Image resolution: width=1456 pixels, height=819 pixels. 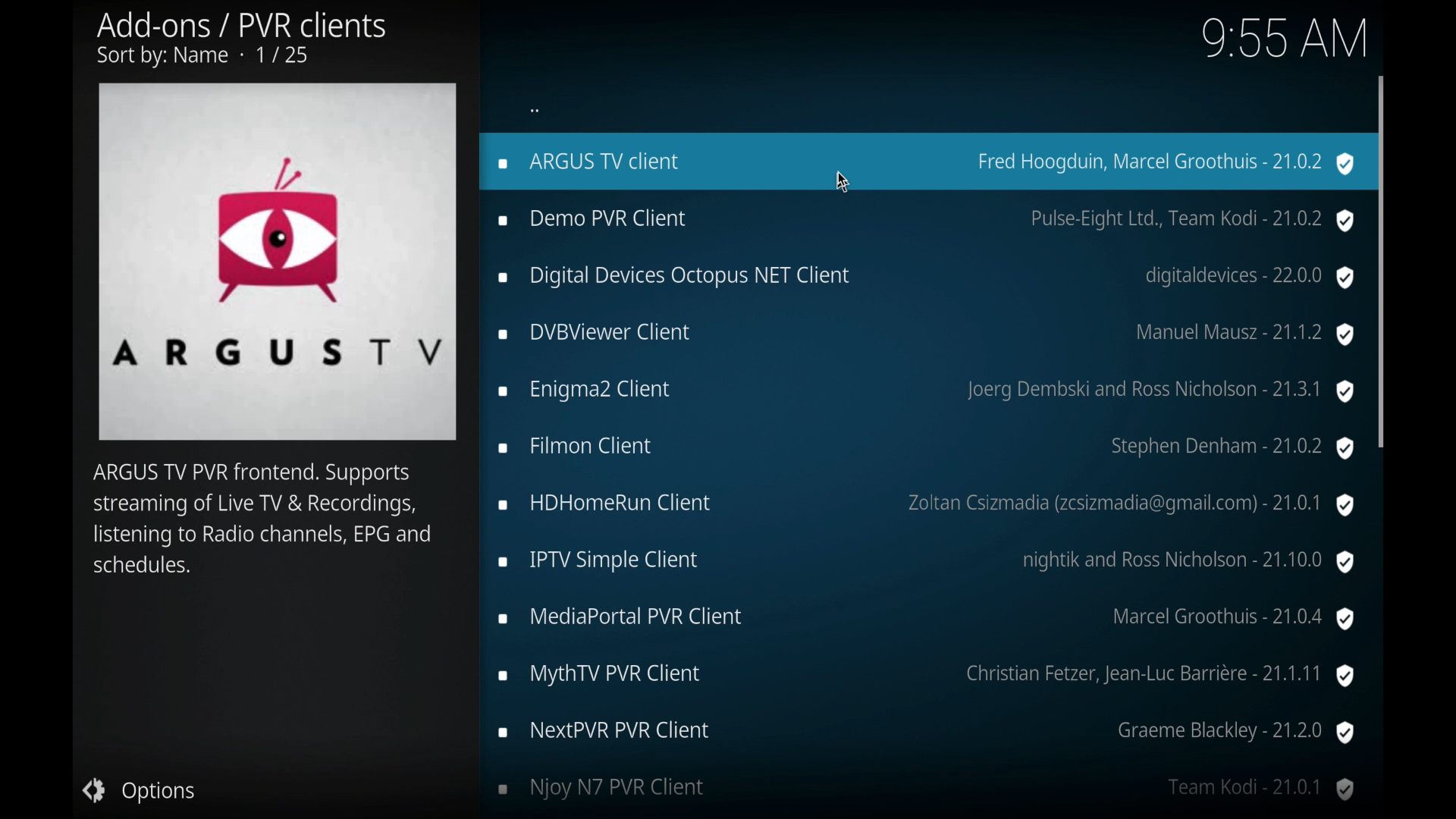 What do you see at coordinates (924, 391) in the screenshot?
I see `enigma2 client` at bounding box center [924, 391].